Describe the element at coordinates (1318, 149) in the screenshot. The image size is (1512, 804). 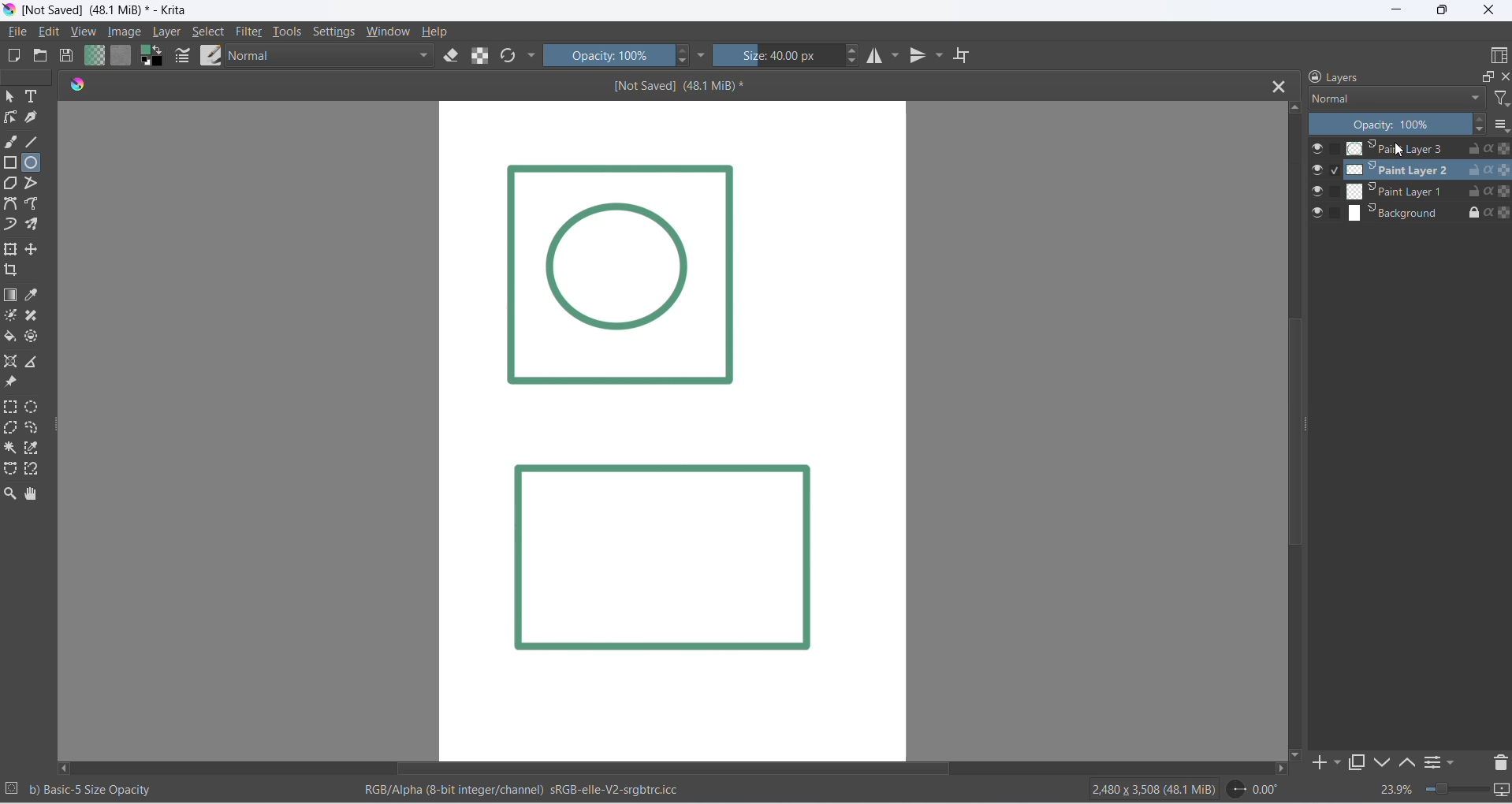
I see `visibility` at that location.